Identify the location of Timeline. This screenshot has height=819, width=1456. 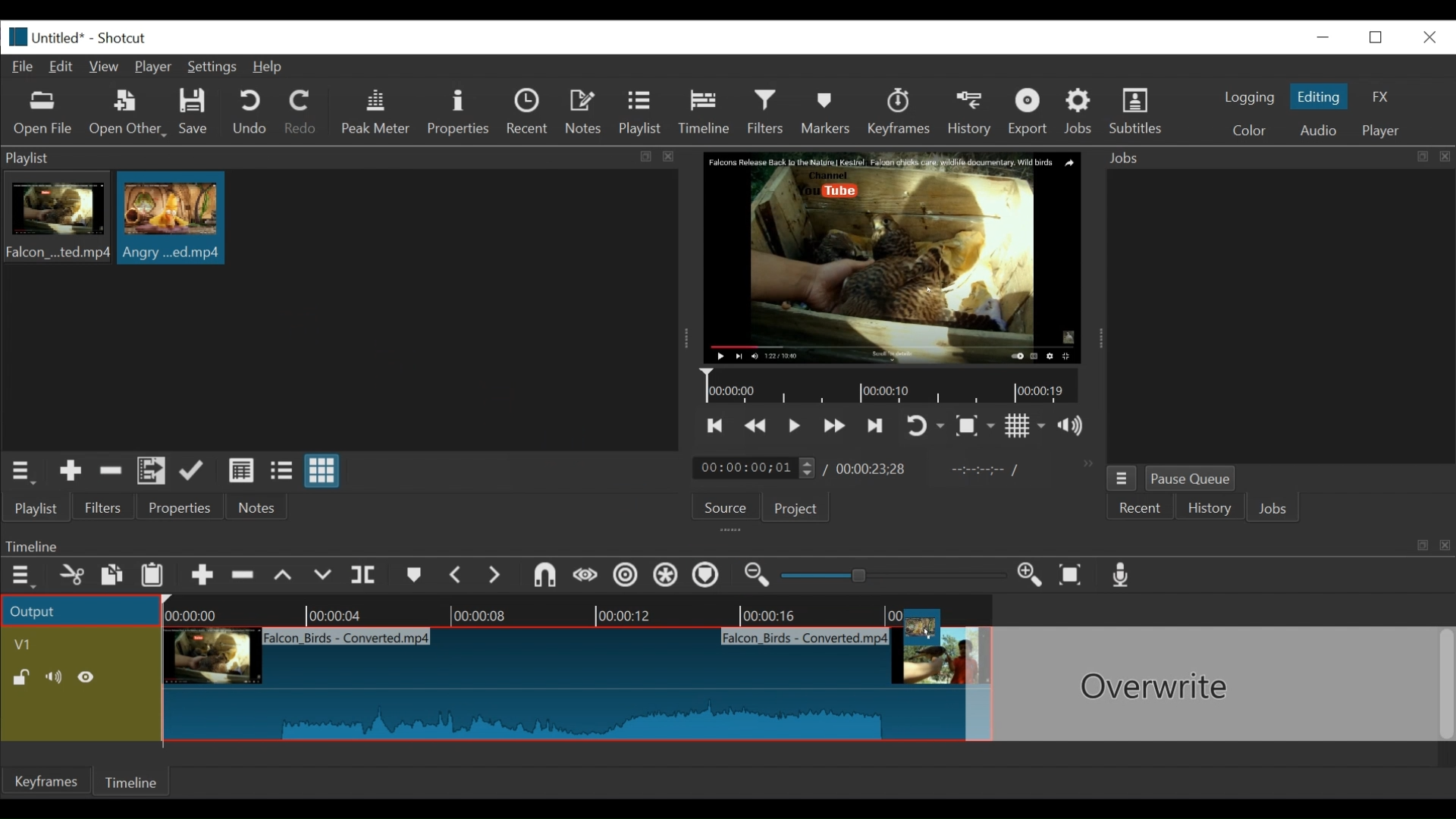
(134, 780).